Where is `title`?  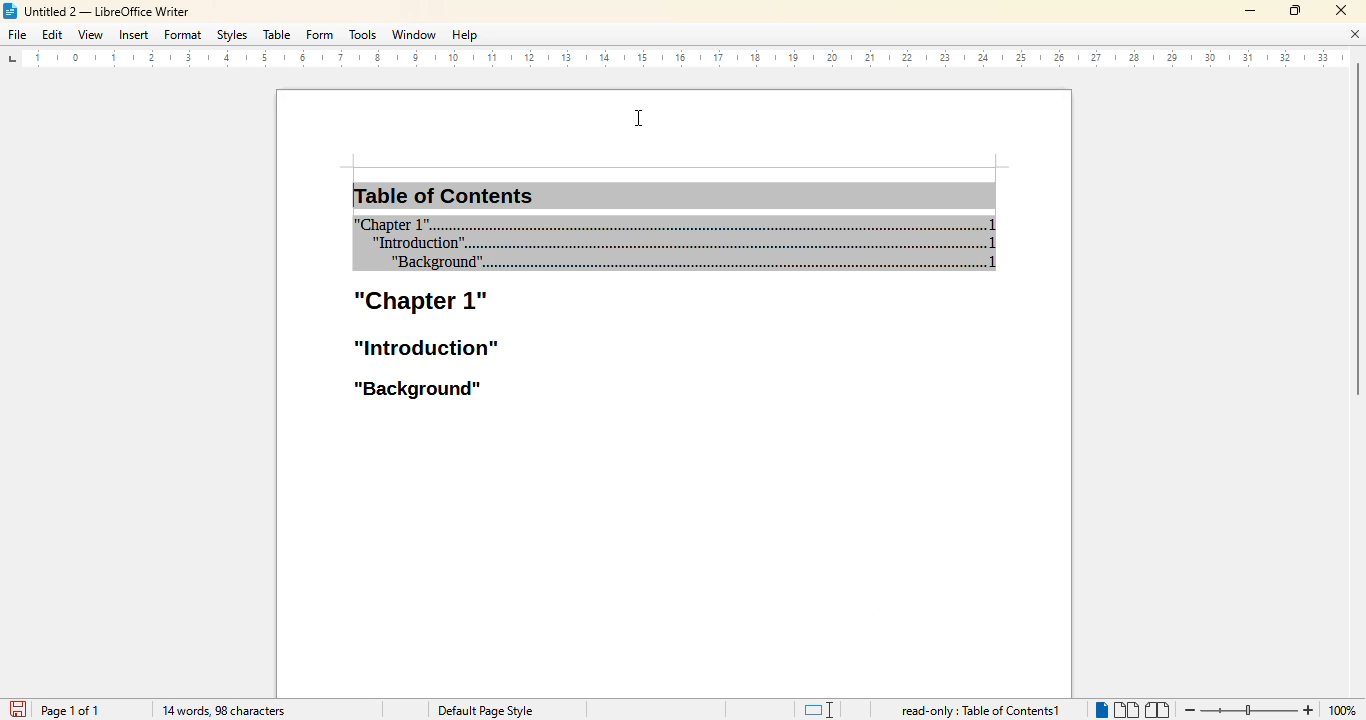 title is located at coordinates (96, 11).